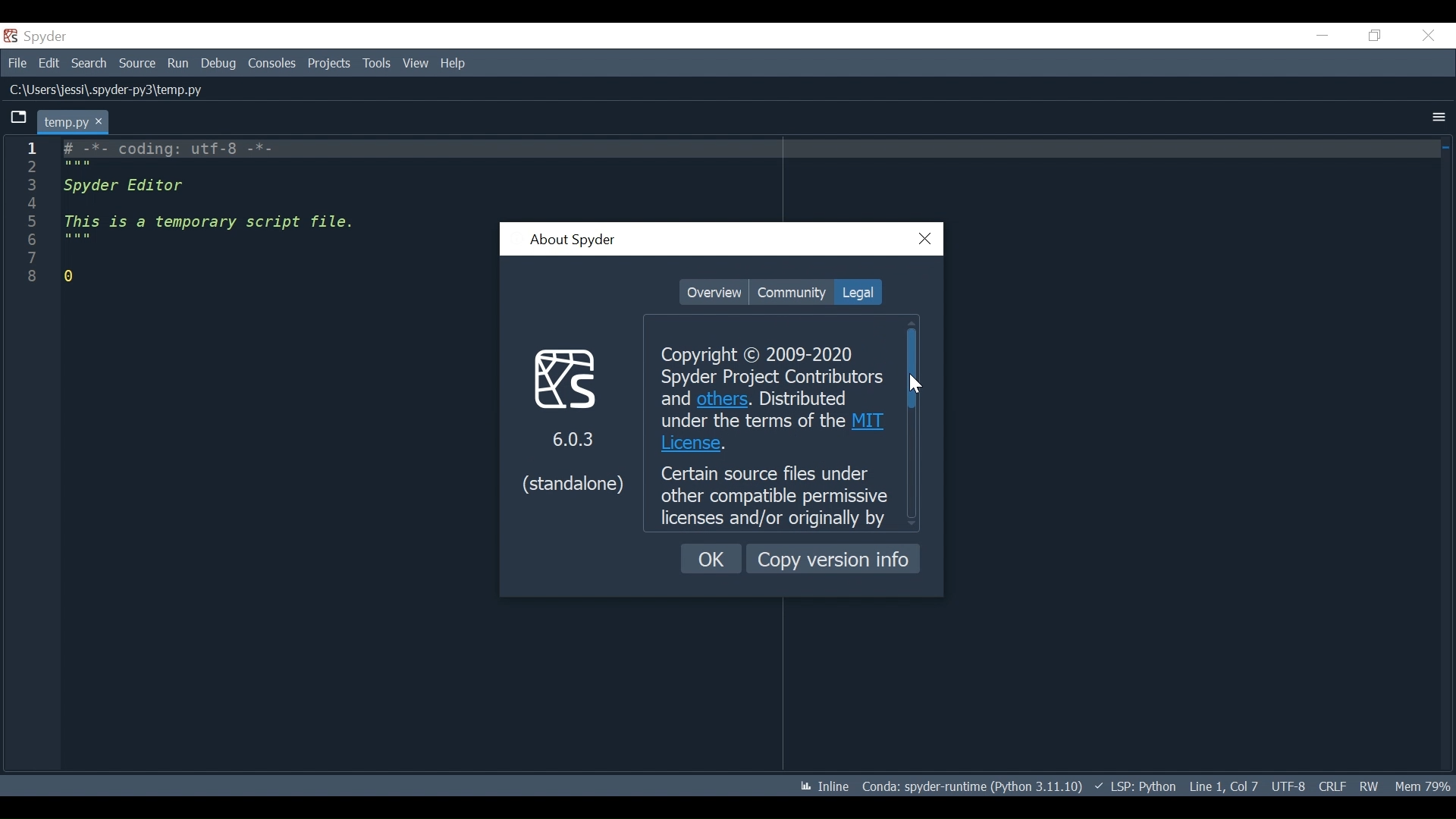 The height and width of the screenshot is (819, 1456). Describe the element at coordinates (1291, 785) in the screenshot. I see `UTF-8` at that location.